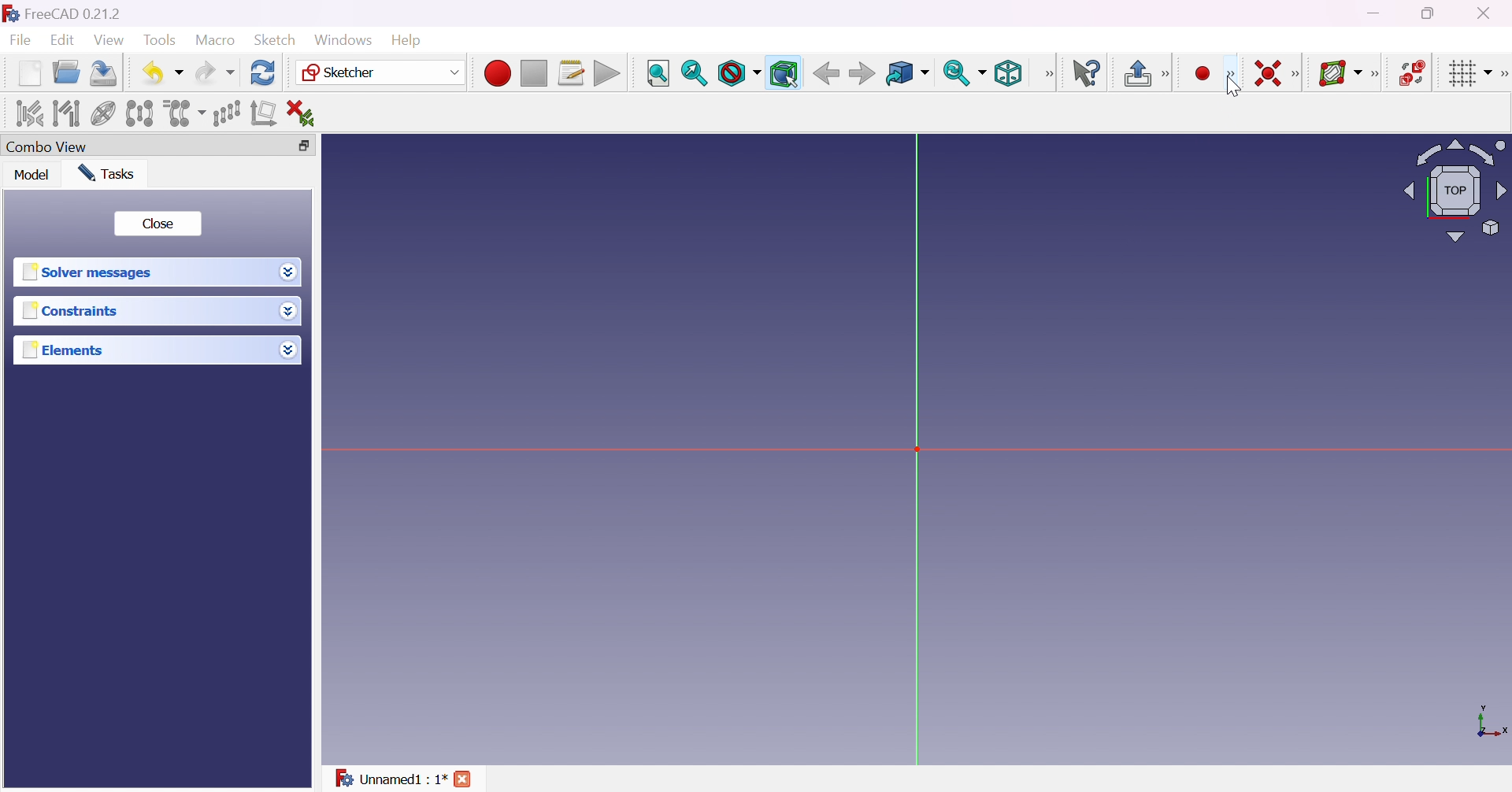 The image size is (1512, 792). I want to click on [Sketcher constraints], so click(1299, 75).